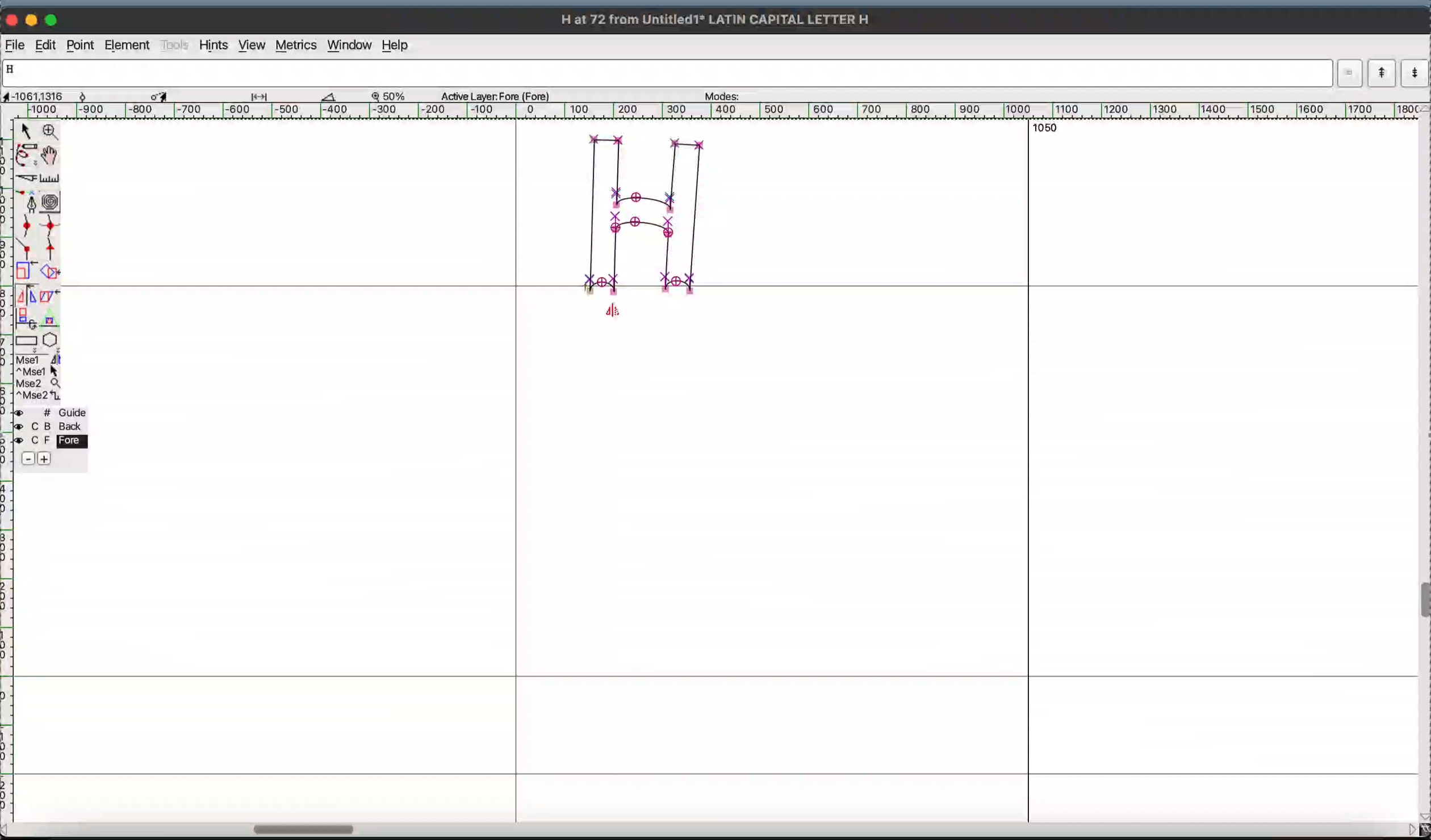 This screenshot has width=1431, height=840. Describe the element at coordinates (50, 318) in the screenshot. I see `perspective` at that location.